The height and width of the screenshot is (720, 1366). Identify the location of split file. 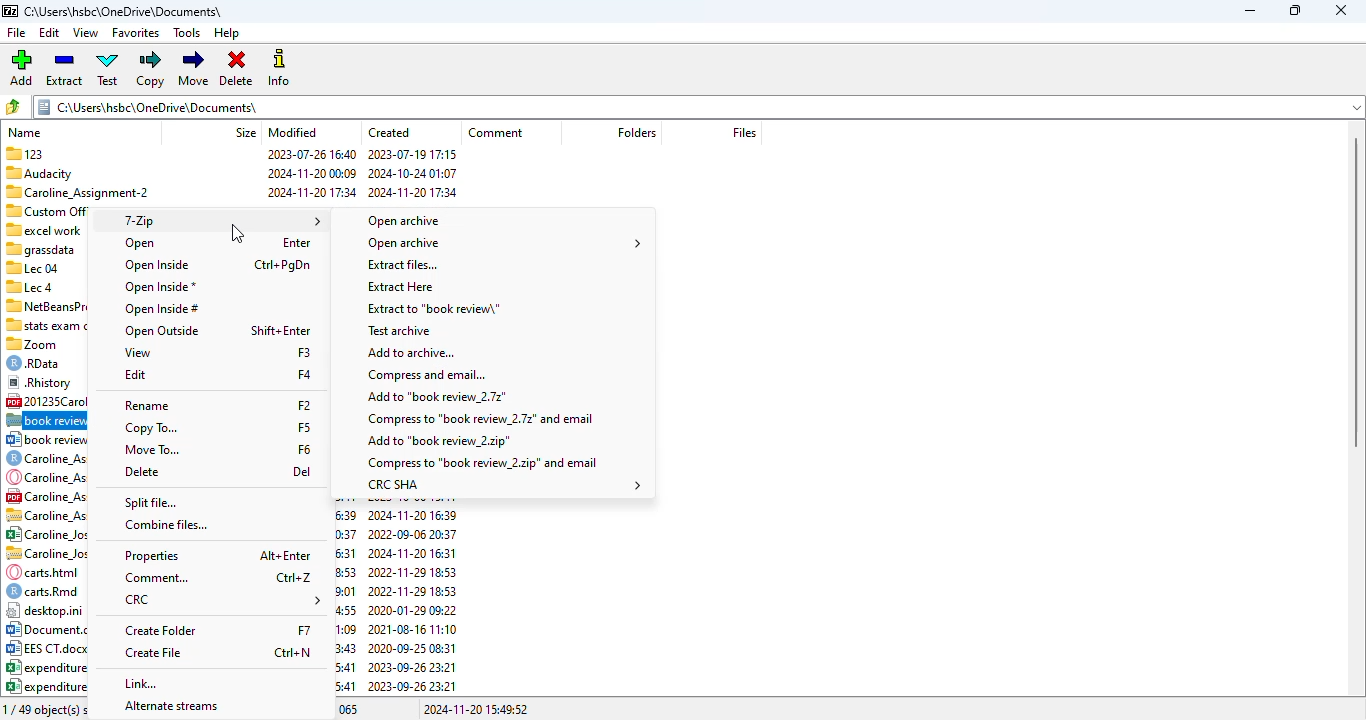
(149, 502).